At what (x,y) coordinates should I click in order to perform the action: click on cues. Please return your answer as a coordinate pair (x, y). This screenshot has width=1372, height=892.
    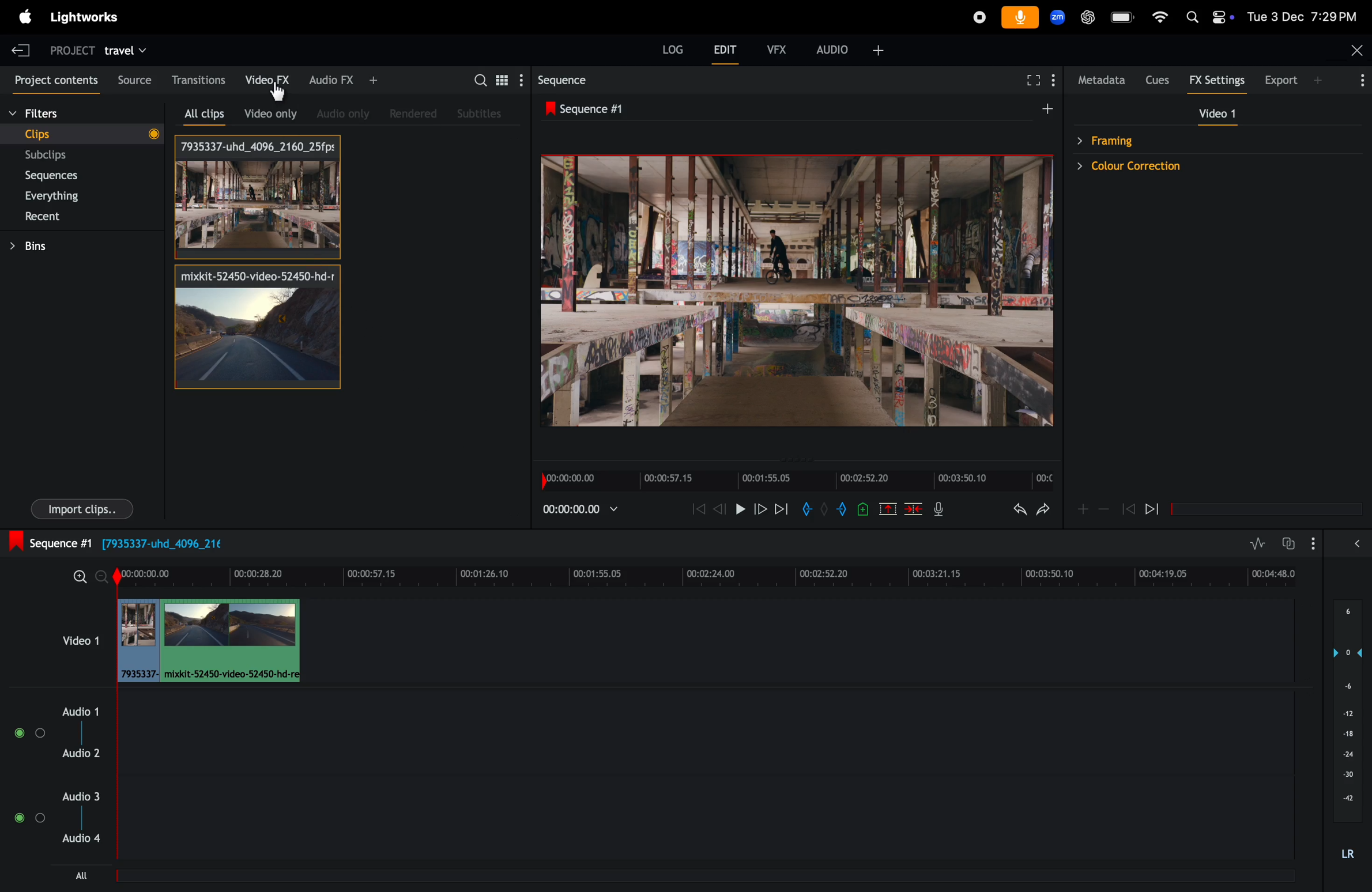
    Looking at the image, I should click on (1162, 79).